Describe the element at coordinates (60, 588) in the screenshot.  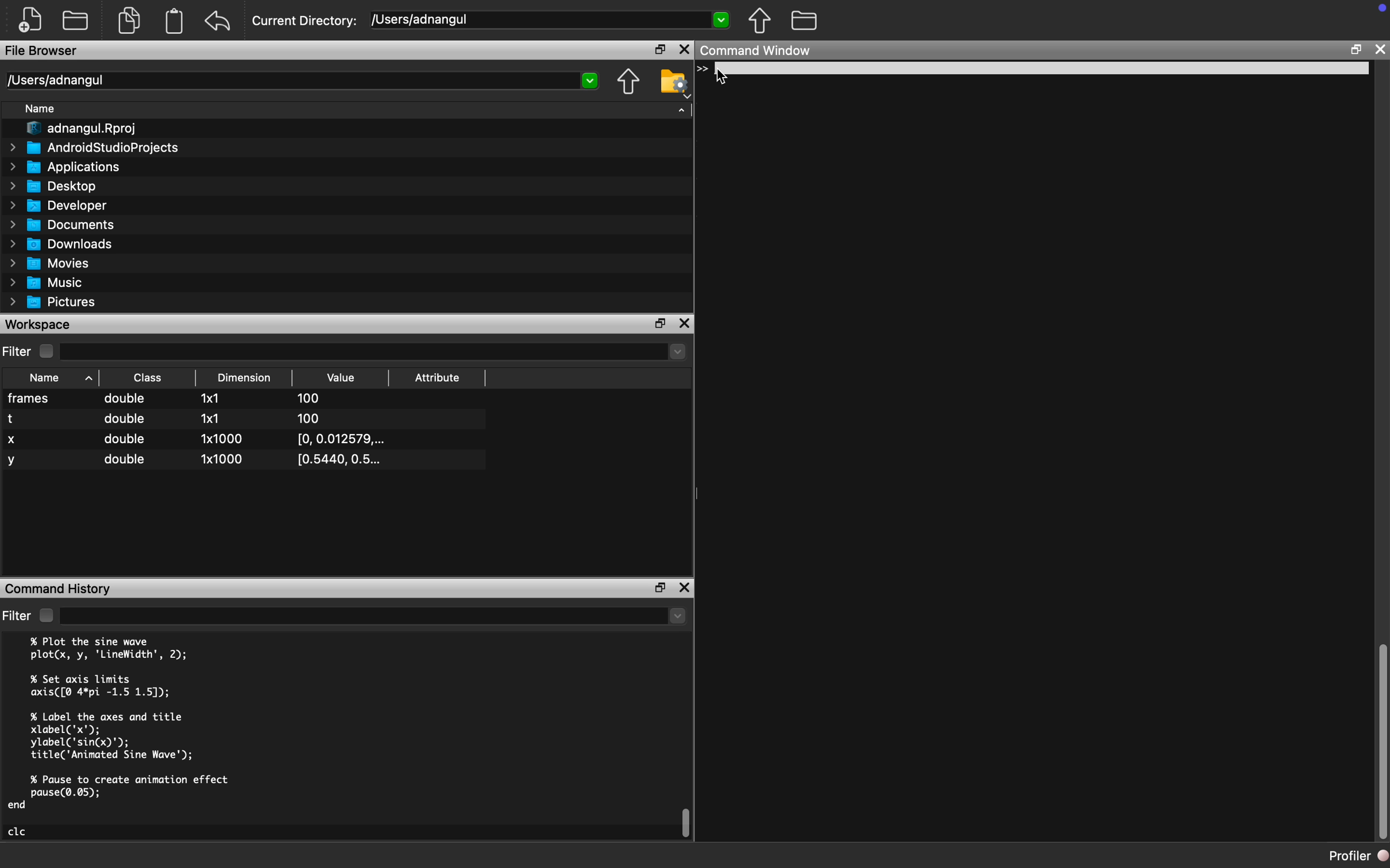
I see `Command History` at that location.